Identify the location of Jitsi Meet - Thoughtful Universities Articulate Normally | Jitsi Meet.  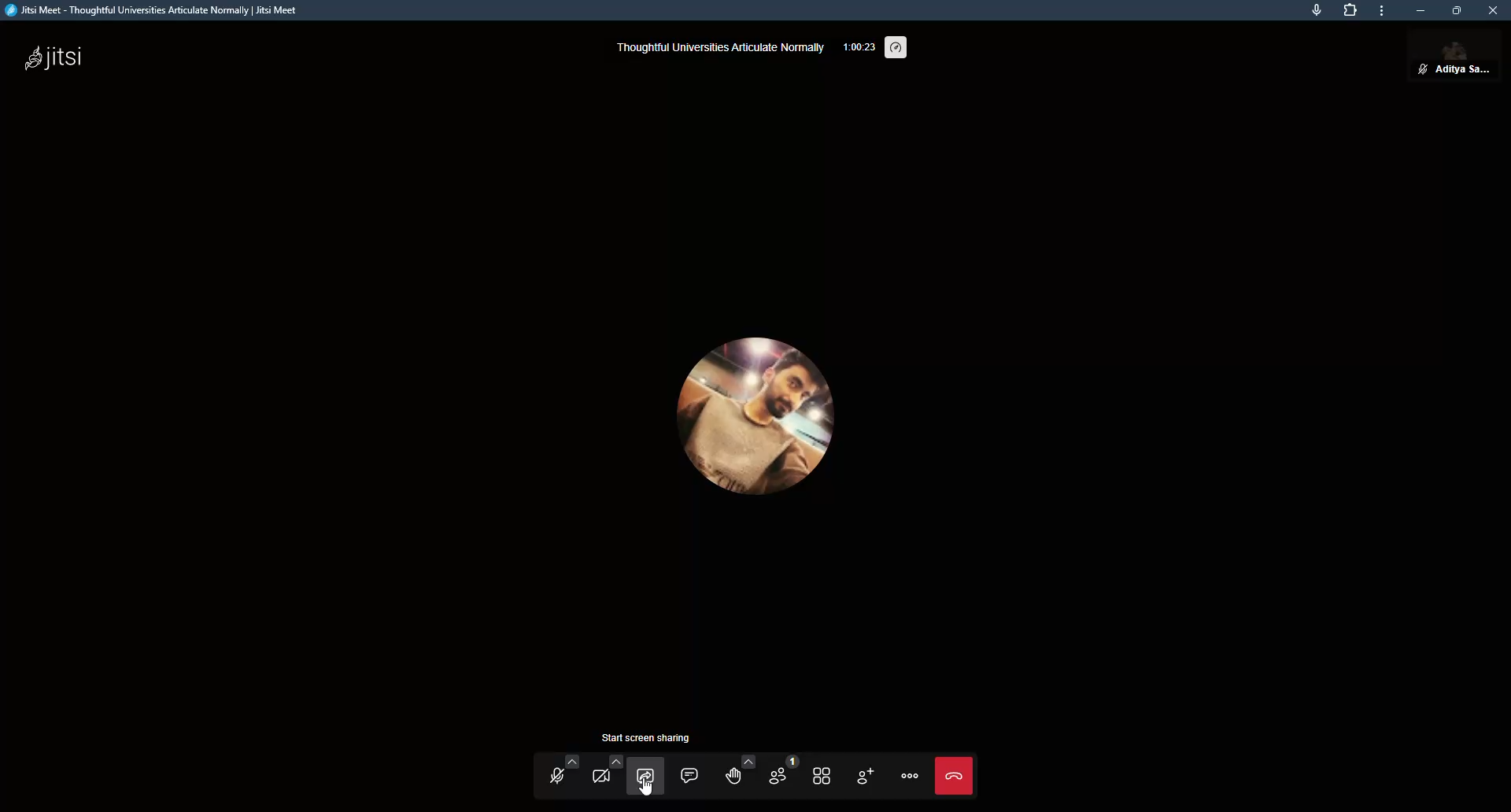
(167, 11).